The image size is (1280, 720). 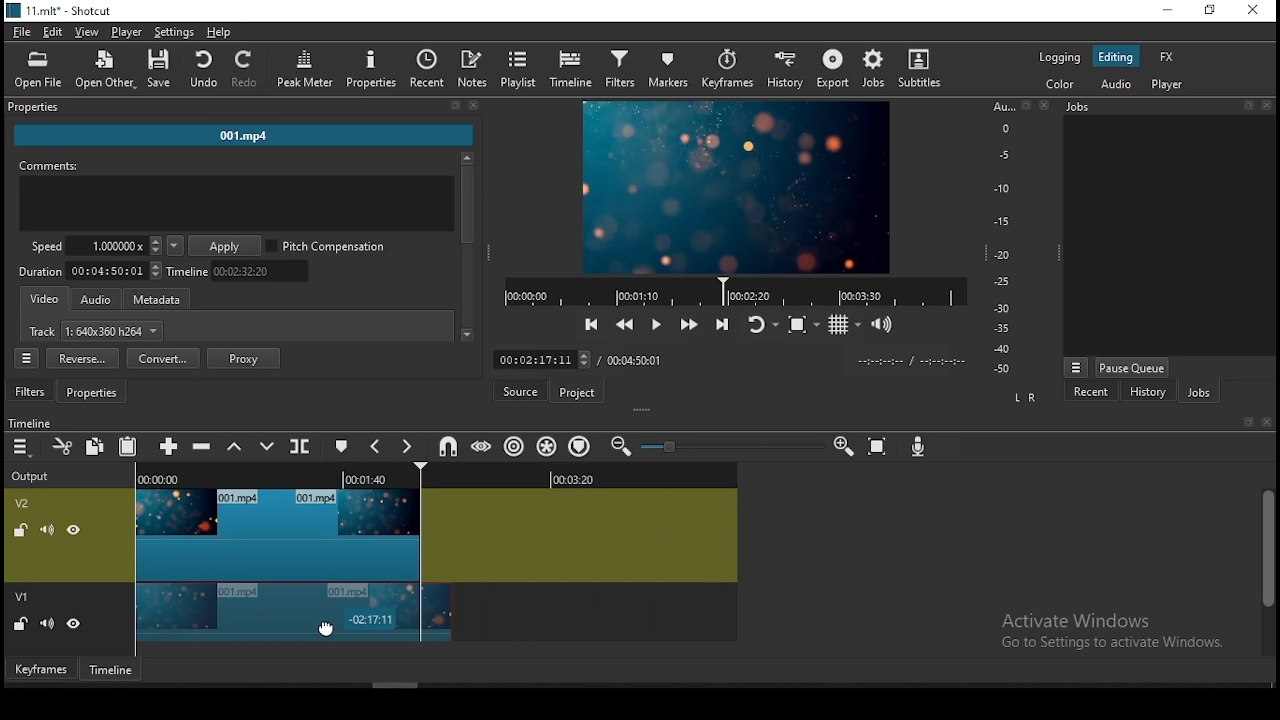 What do you see at coordinates (20, 625) in the screenshot?
I see `(UN)LOCK` at bounding box center [20, 625].